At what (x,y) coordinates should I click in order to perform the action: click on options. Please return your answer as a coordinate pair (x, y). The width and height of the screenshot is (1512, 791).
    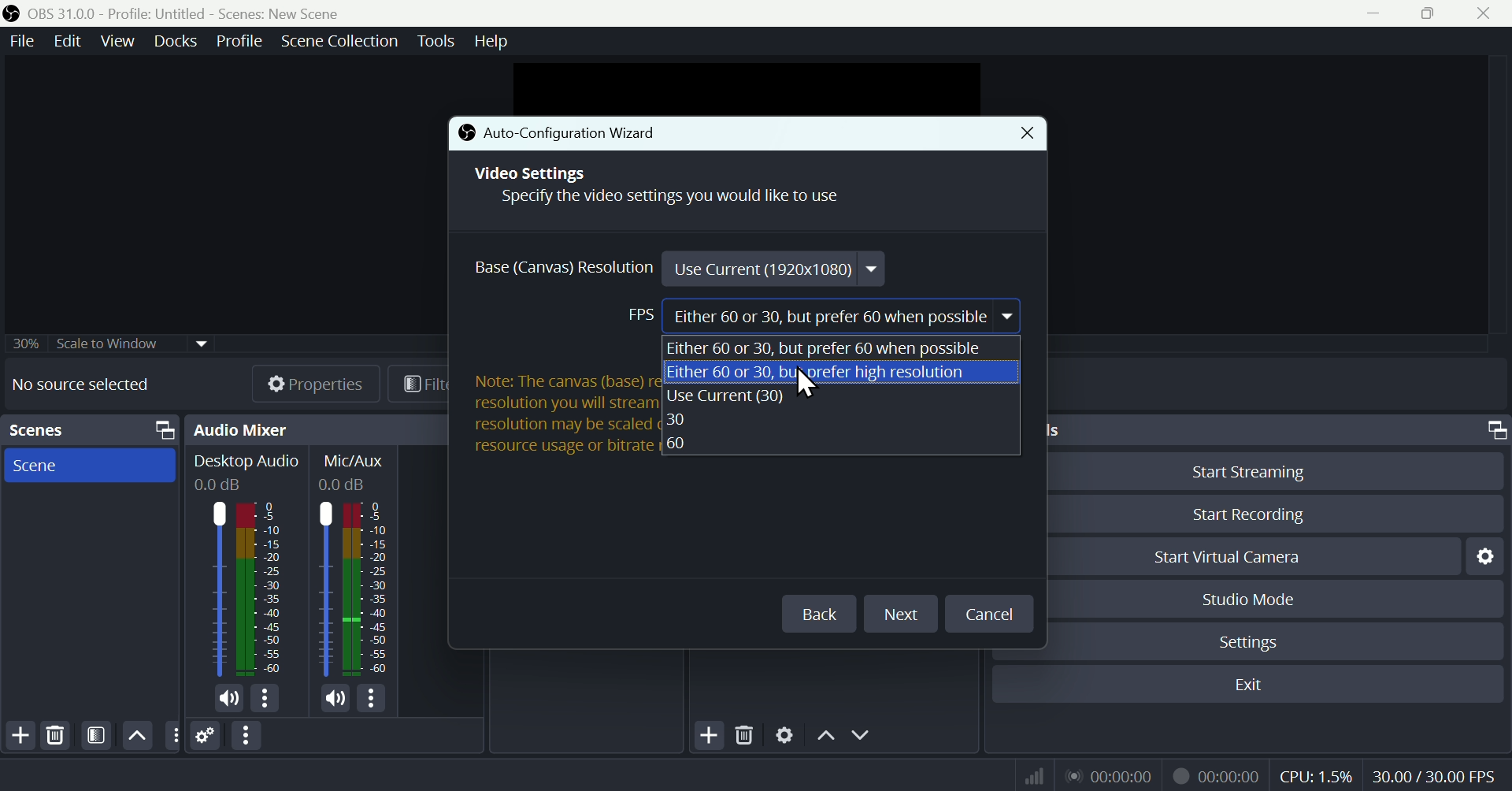
    Looking at the image, I should click on (172, 734).